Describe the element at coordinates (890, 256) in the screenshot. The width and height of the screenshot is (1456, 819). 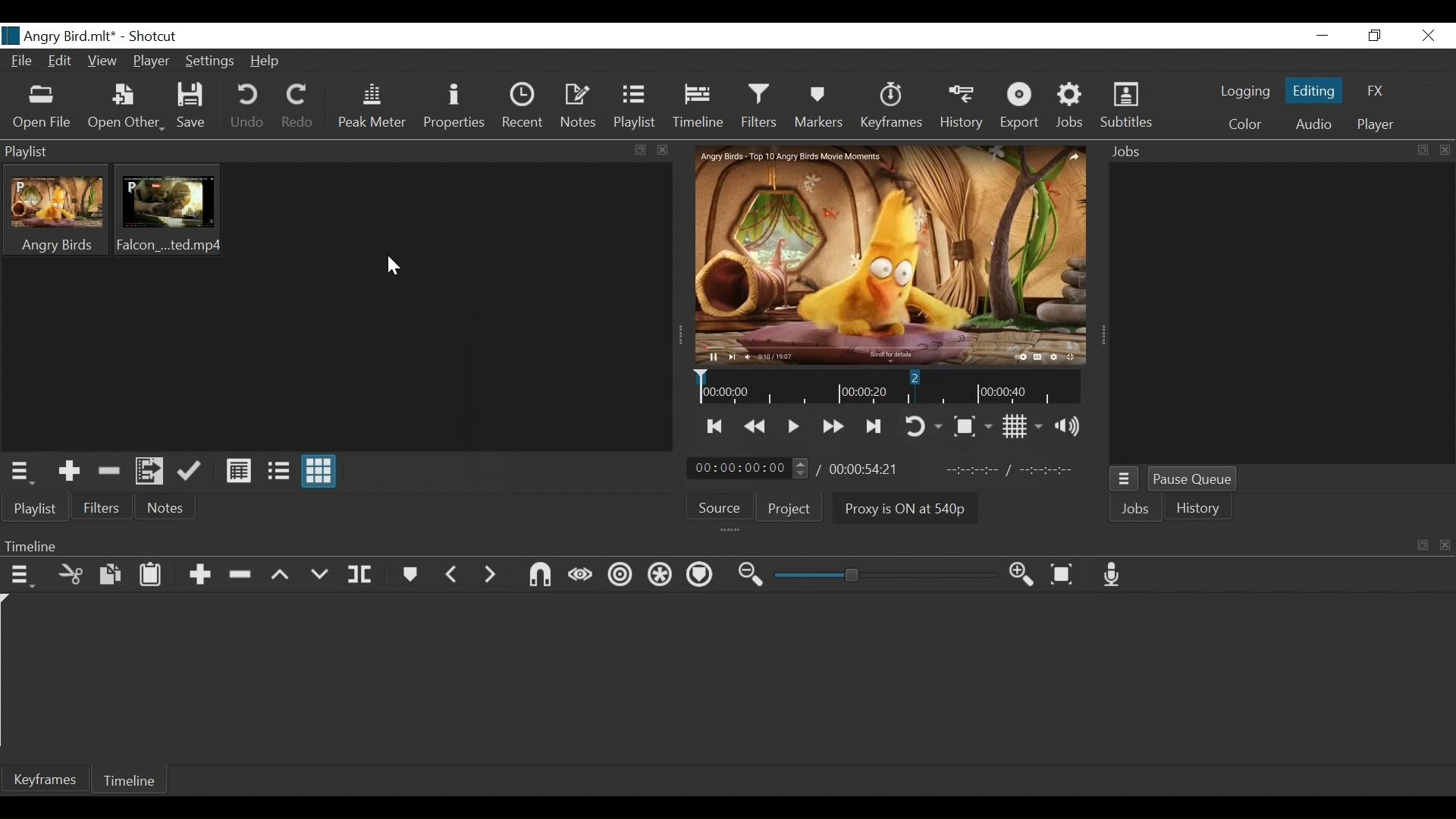
I see `Media Viewer` at that location.